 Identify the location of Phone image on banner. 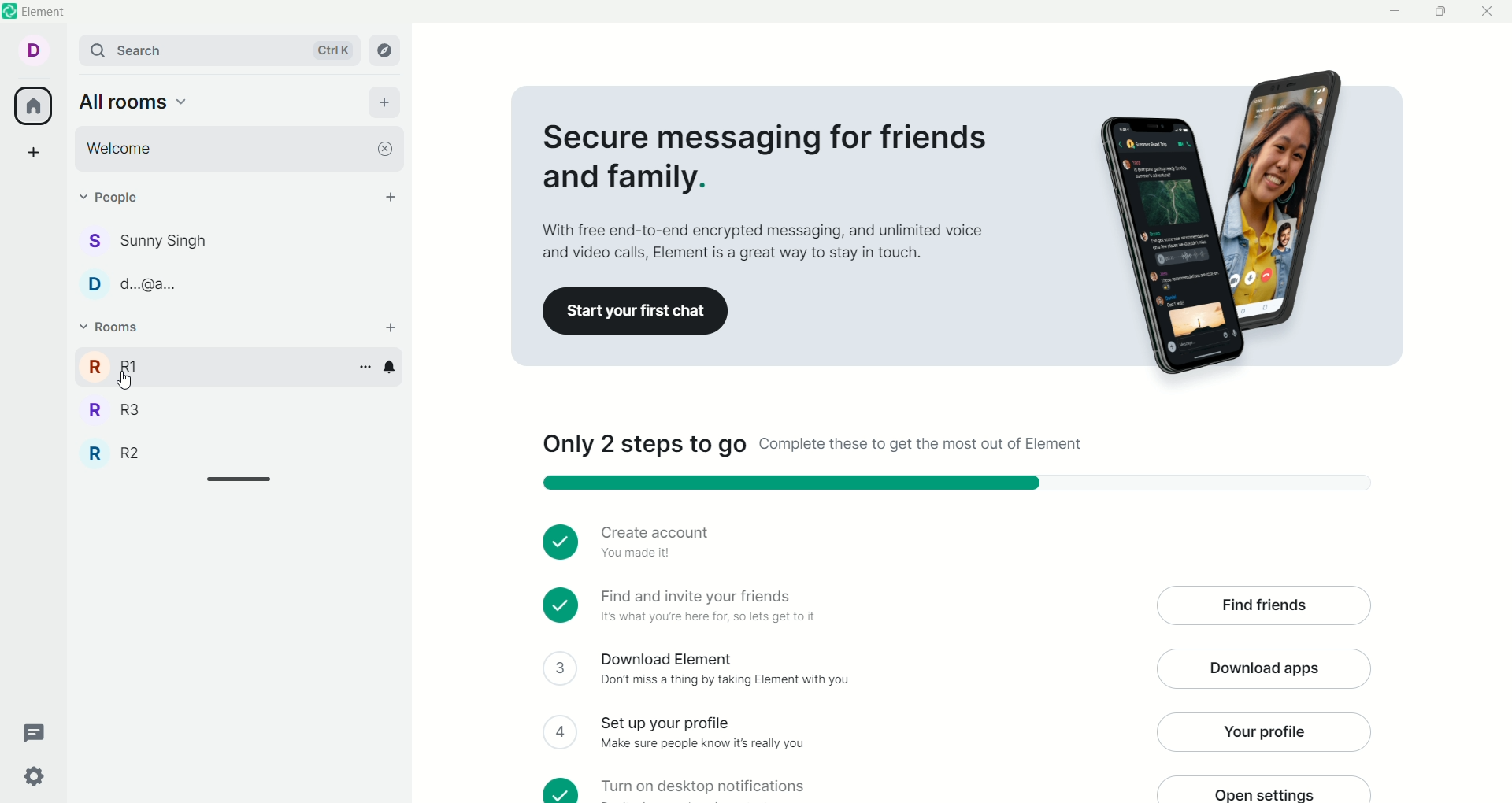
(1219, 220).